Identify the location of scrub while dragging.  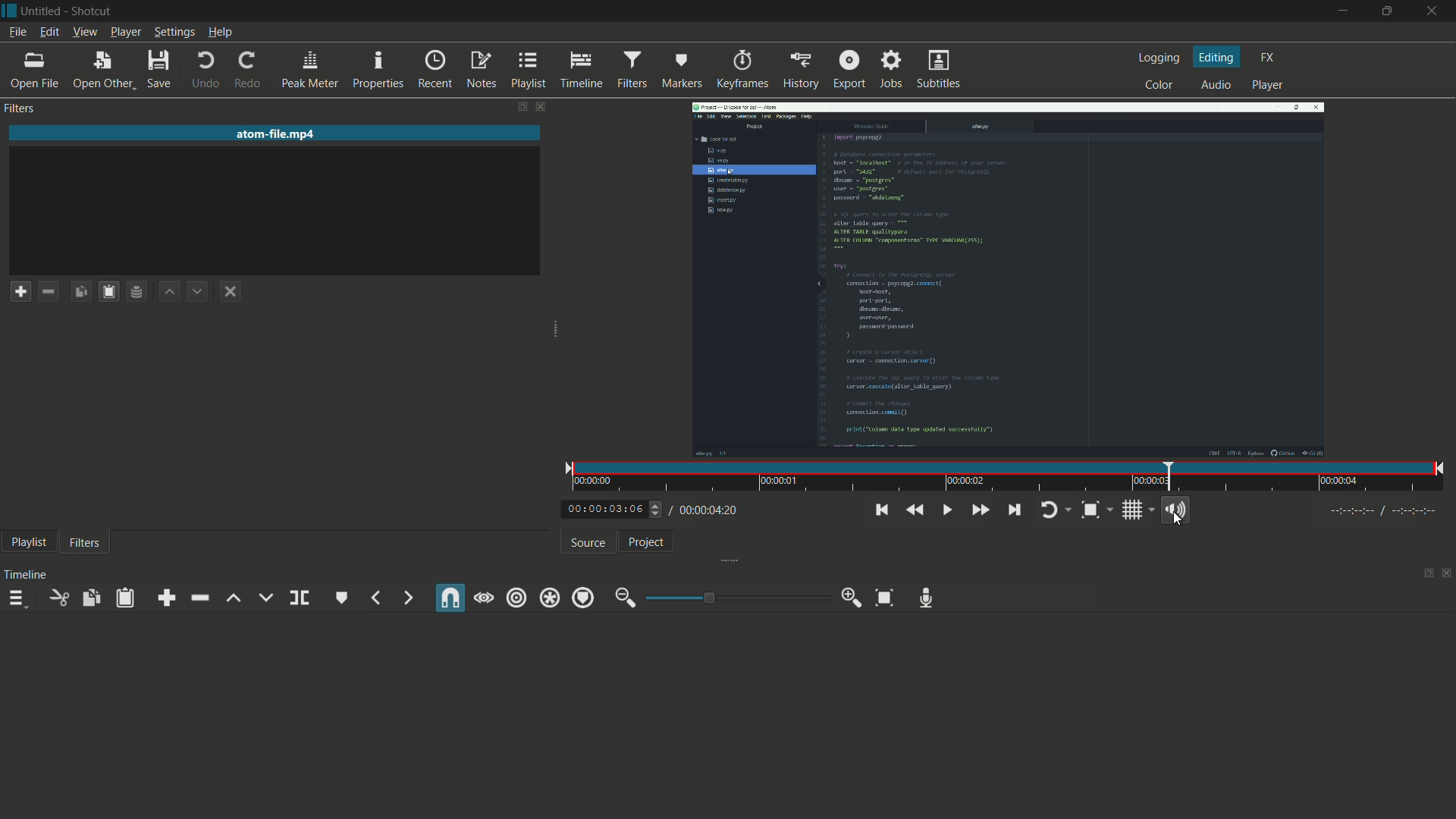
(485, 598).